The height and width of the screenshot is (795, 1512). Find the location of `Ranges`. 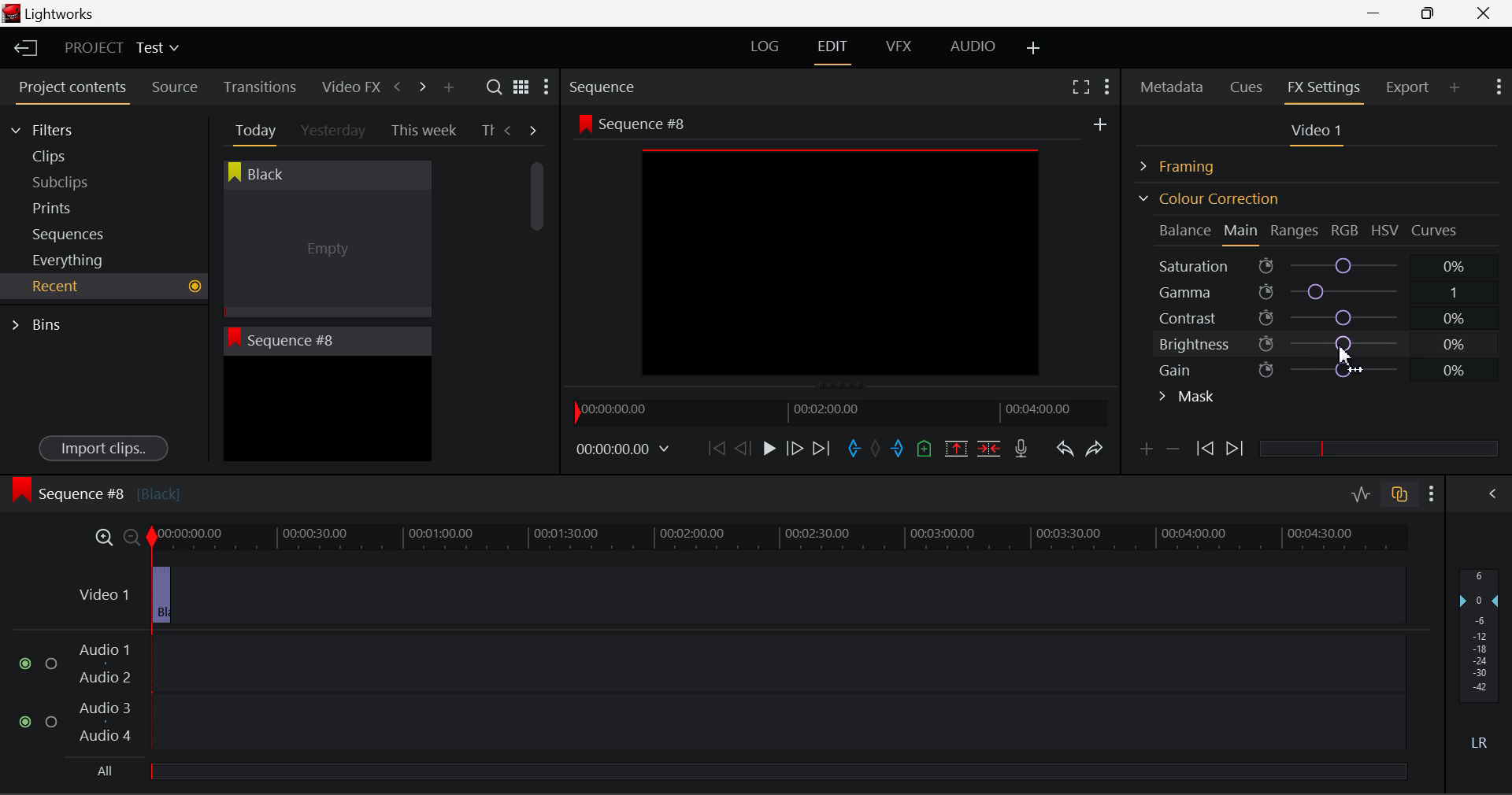

Ranges is located at coordinates (1295, 232).